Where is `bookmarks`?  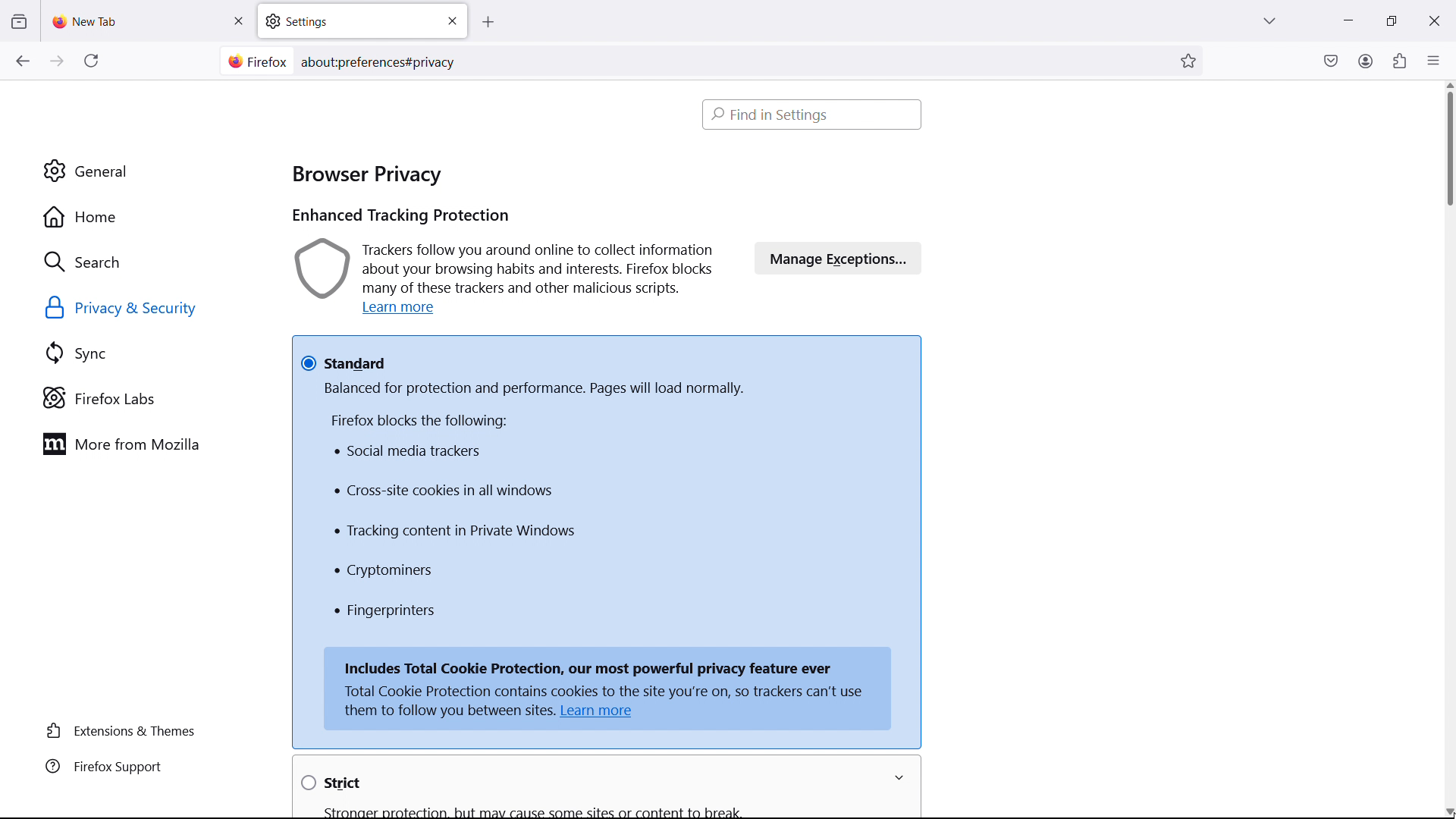
bookmarks is located at coordinates (1190, 60).